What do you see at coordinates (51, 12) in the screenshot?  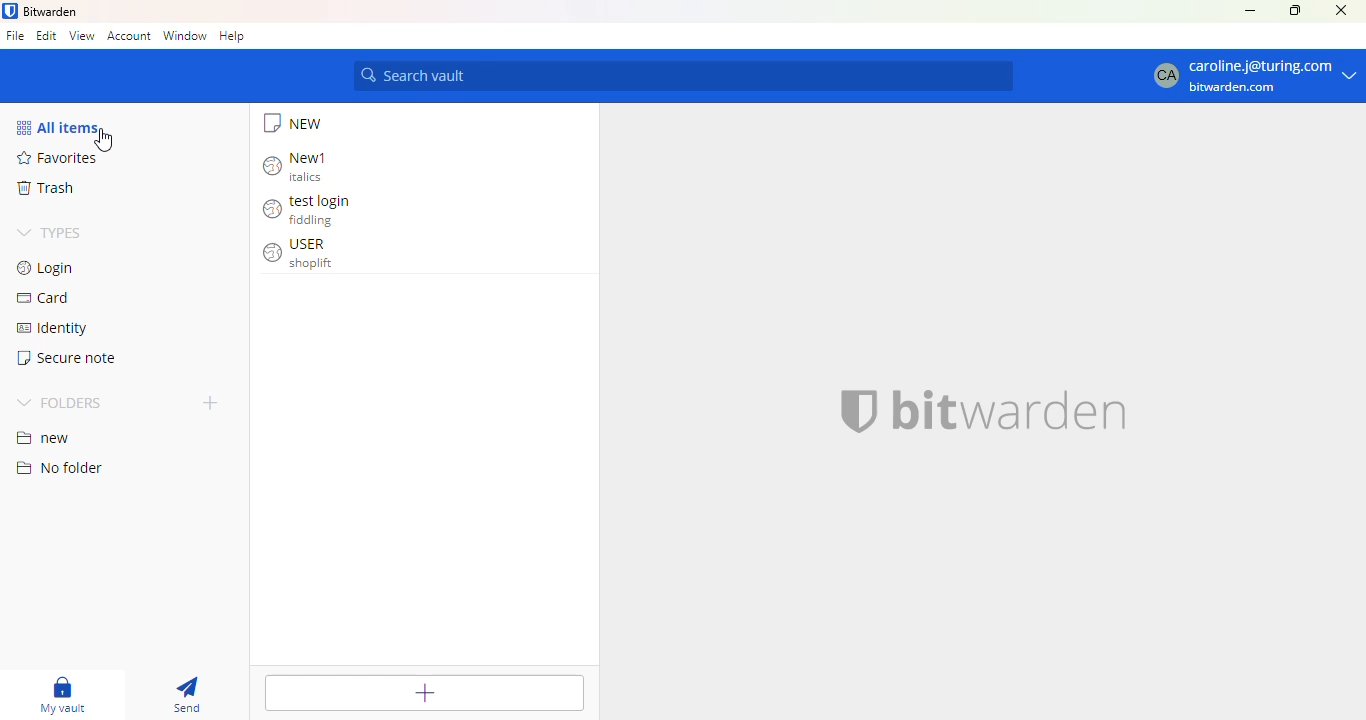 I see `bitwarden` at bounding box center [51, 12].